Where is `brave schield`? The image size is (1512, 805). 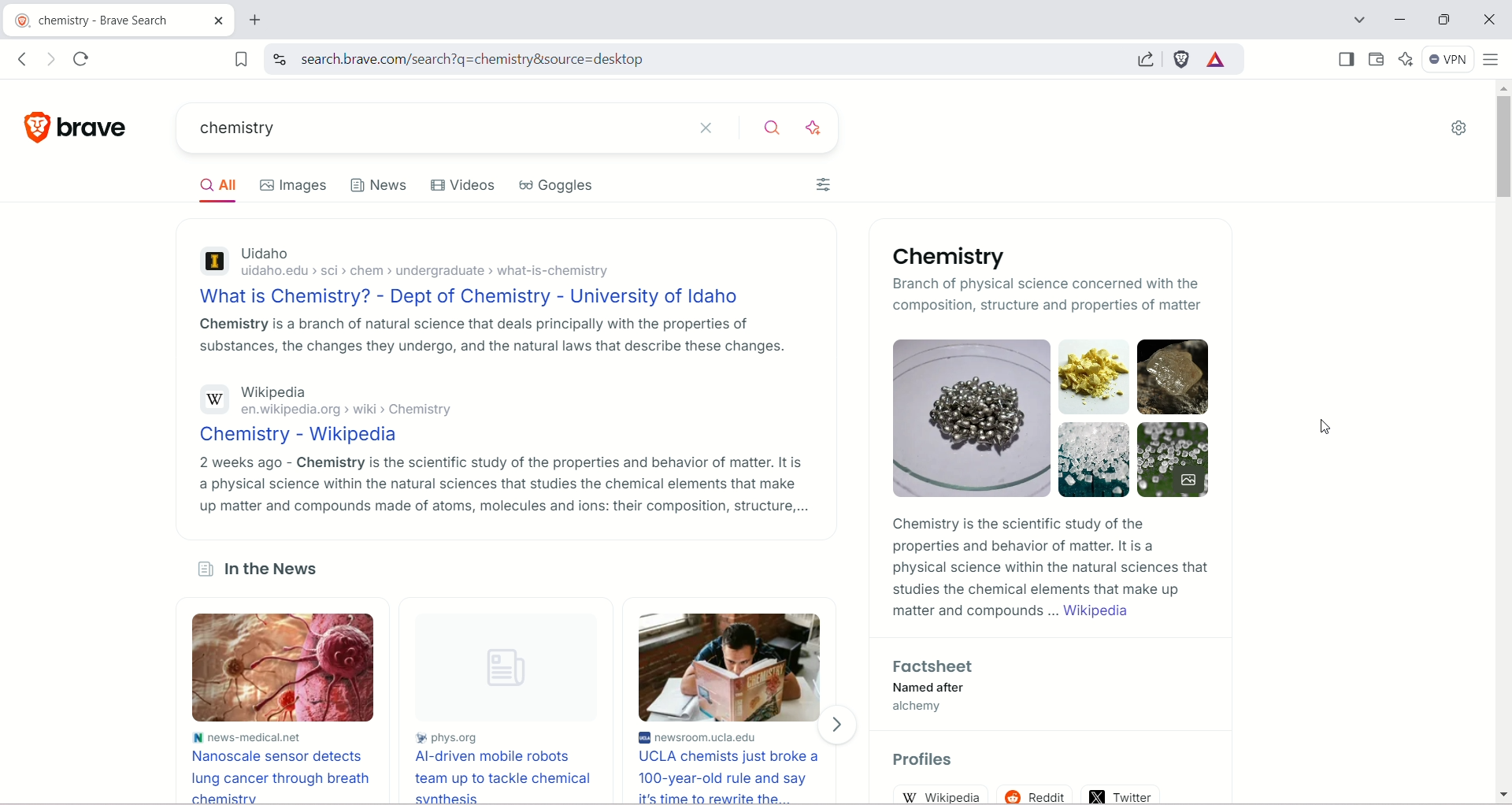 brave schield is located at coordinates (1183, 60).